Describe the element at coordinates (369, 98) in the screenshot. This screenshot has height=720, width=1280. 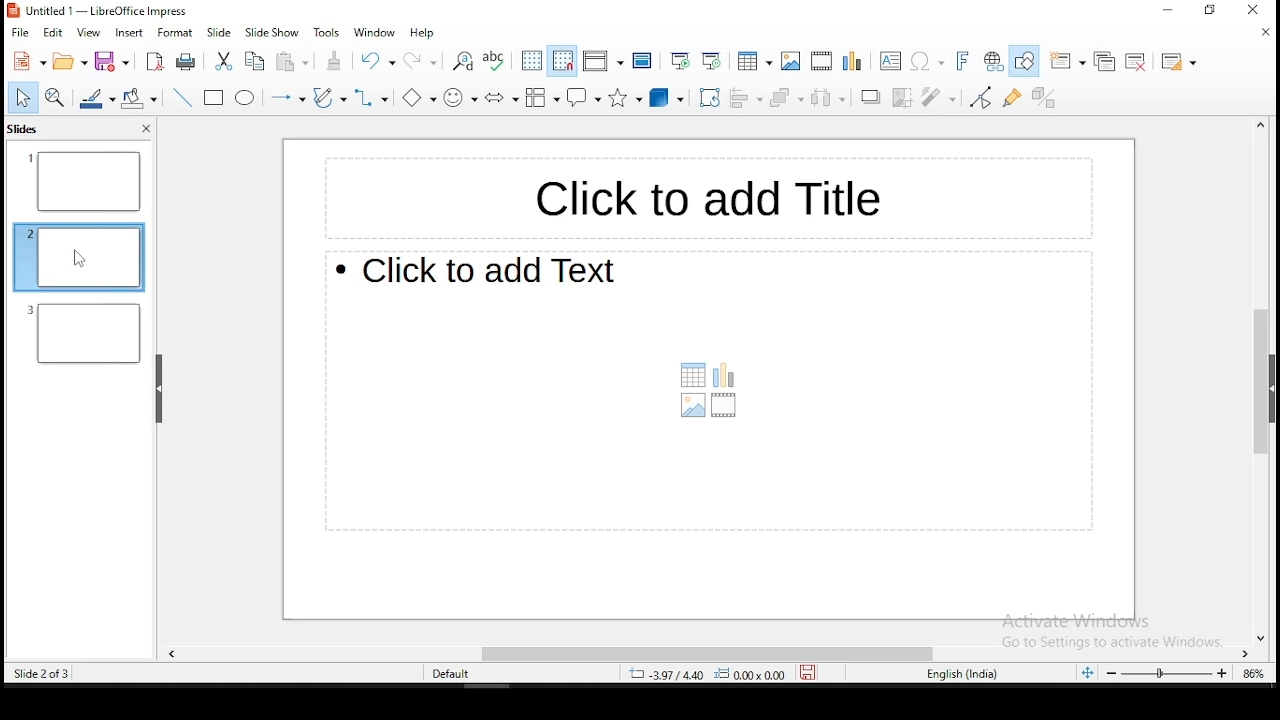
I see `connectors` at that location.